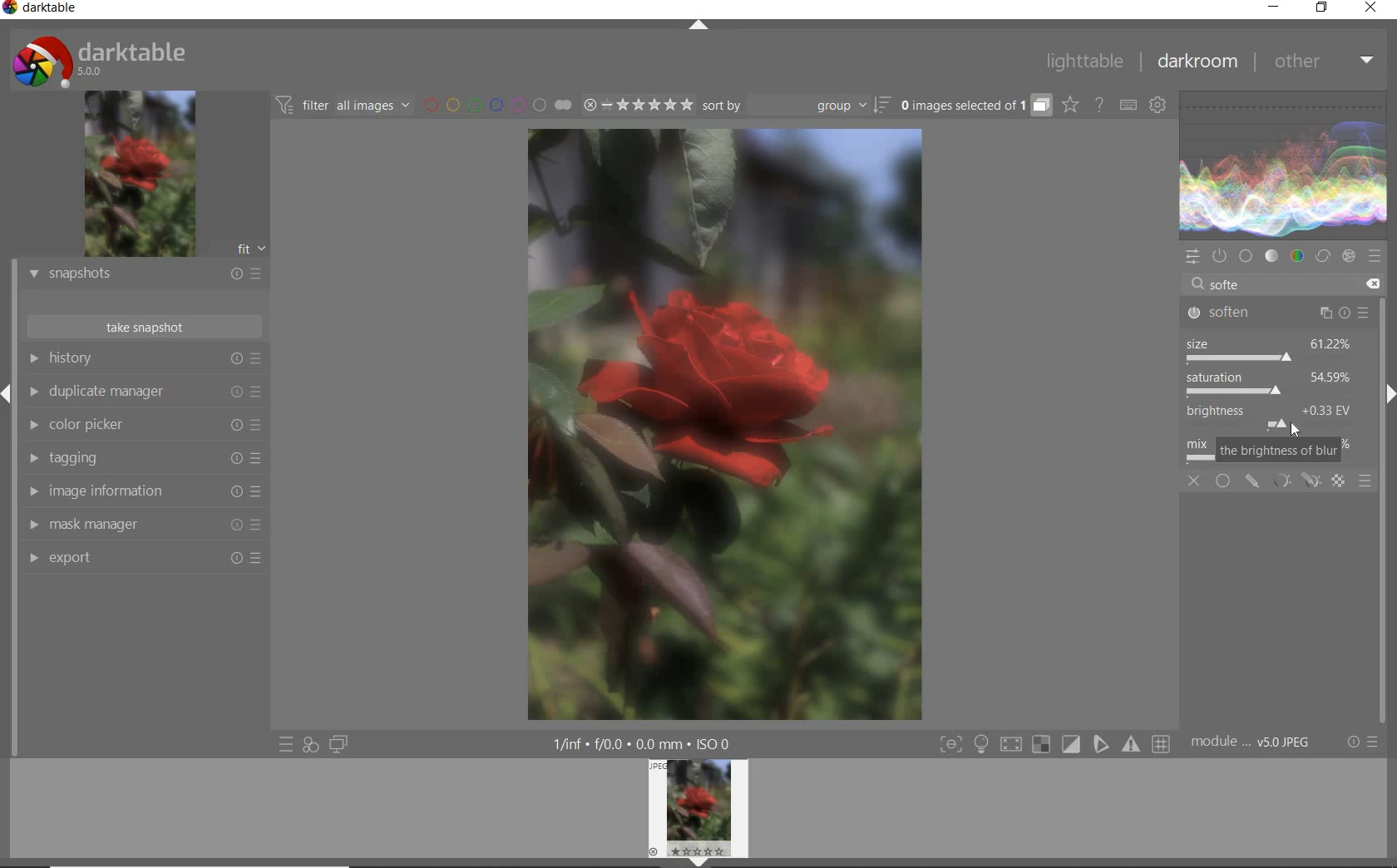  I want to click on scrollbar, so click(1382, 452).